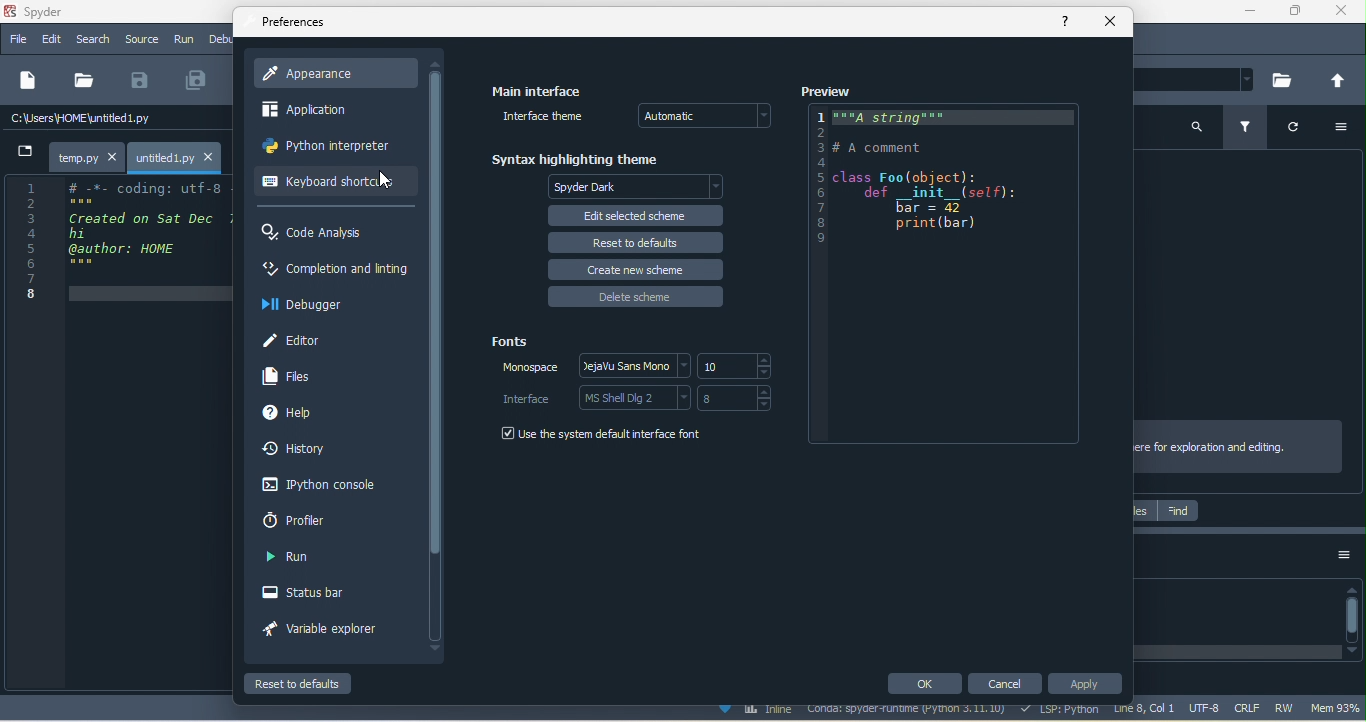  I want to click on vertical scroll bar, so click(435, 356).